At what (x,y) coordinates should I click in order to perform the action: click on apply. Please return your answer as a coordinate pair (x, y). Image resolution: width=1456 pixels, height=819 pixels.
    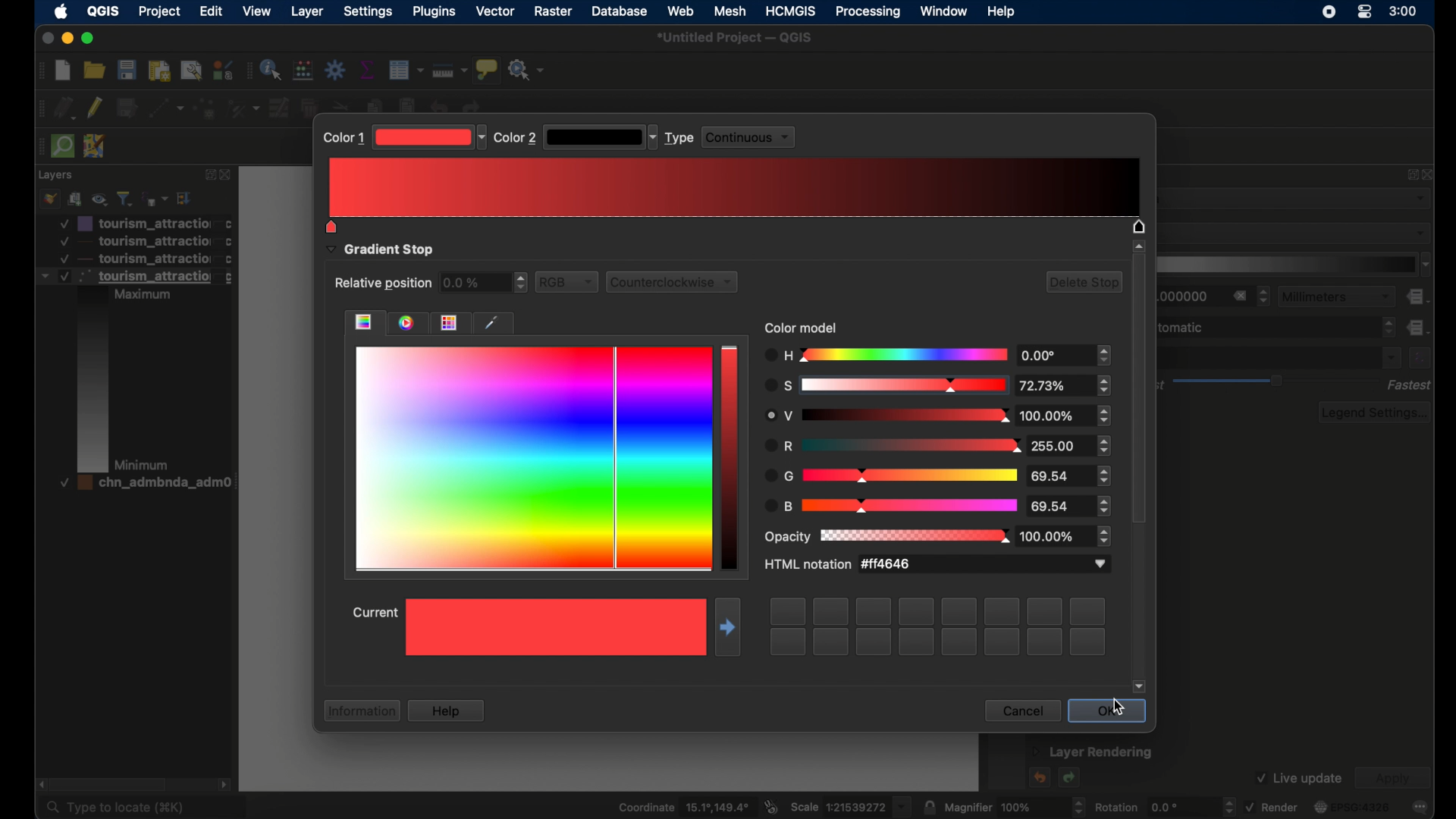
    Looking at the image, I should click on (1392, 779).